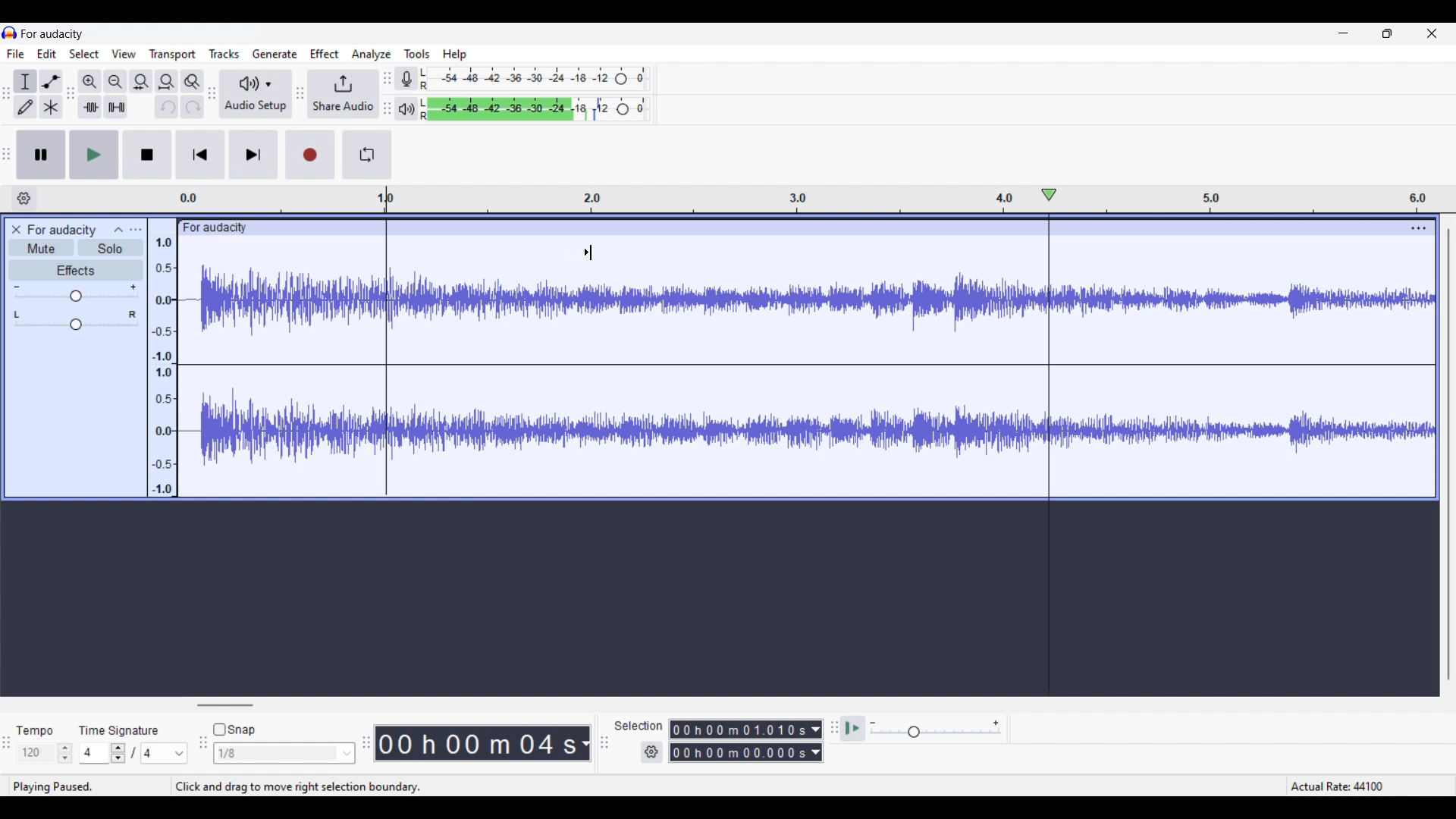 The width and height of the screenshot is (1456, 819). I want to click on Time signature settings, so click(133, 753).